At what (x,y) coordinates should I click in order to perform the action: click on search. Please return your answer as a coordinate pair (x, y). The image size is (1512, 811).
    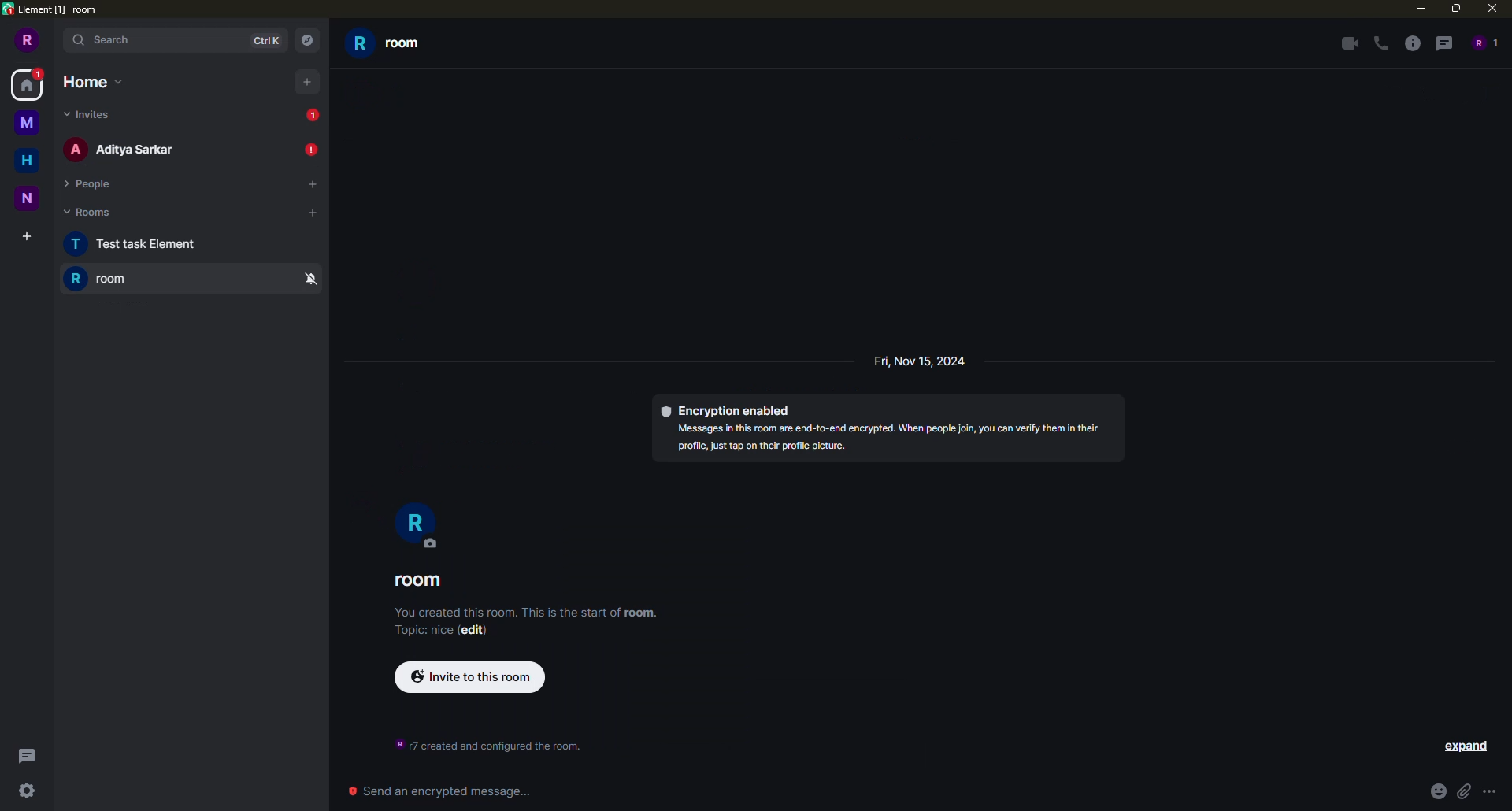
    Looking at the image, I should click on (176, 40).